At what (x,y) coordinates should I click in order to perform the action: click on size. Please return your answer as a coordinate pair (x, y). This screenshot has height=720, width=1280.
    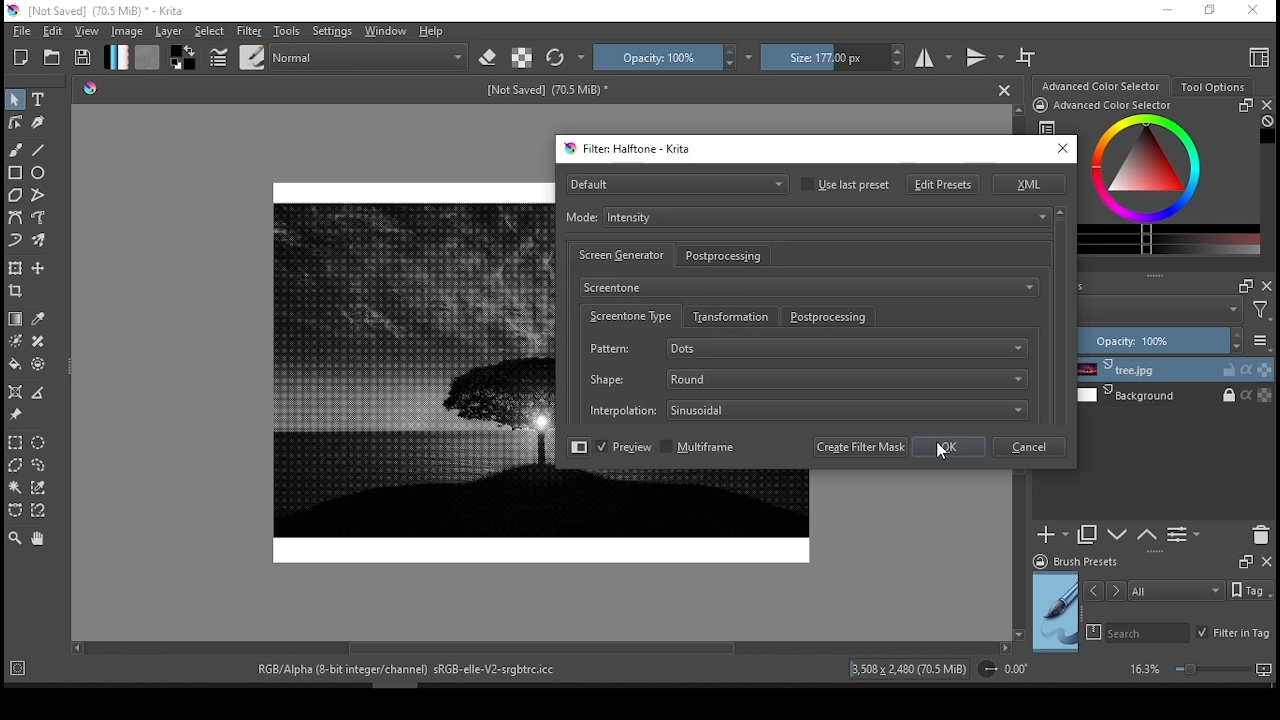
    Looking at the image, I should click on (548, 89).